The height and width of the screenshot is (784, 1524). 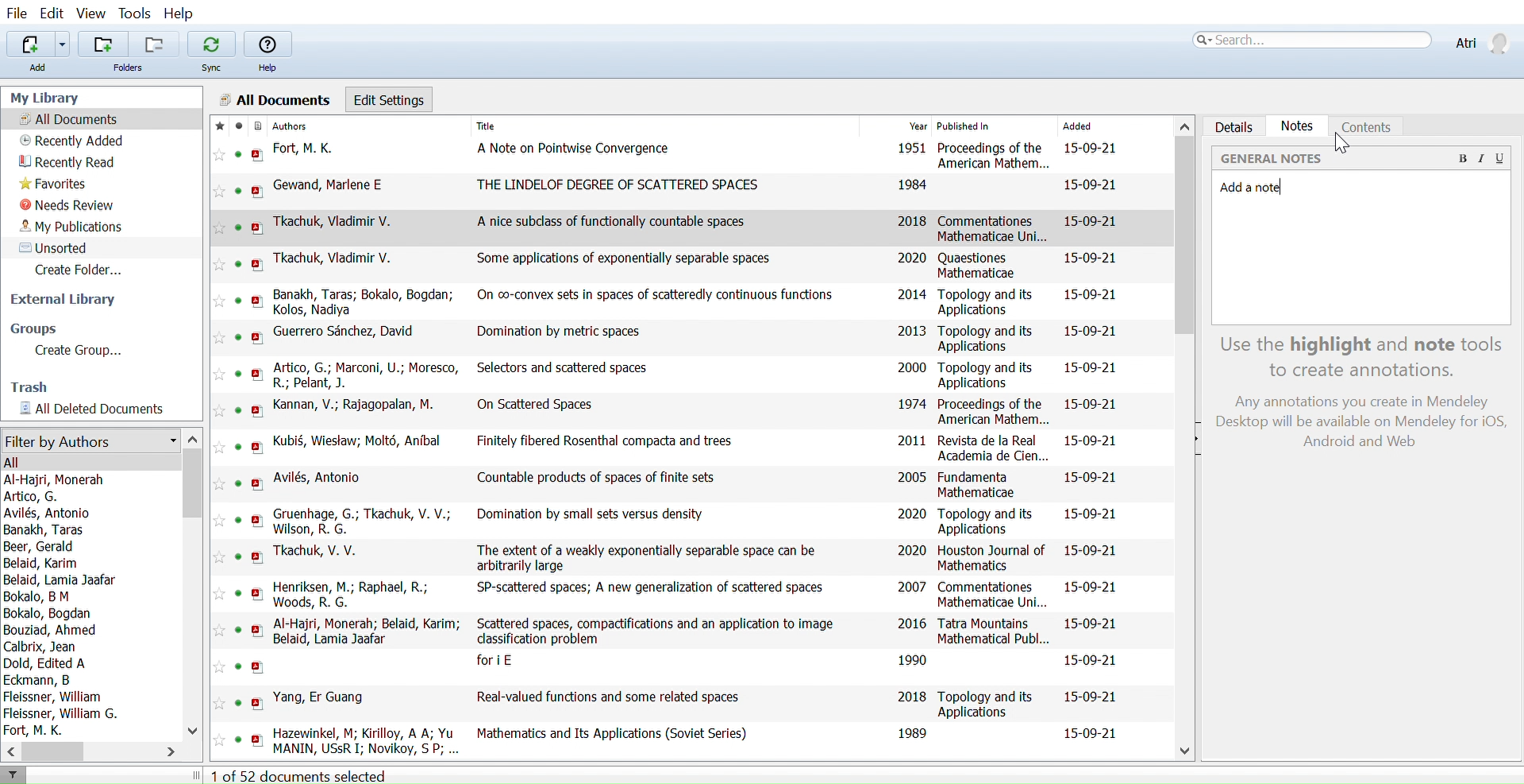 I want to click on Vertical scrollbar for filter by authors, so click(x=194, y=485).